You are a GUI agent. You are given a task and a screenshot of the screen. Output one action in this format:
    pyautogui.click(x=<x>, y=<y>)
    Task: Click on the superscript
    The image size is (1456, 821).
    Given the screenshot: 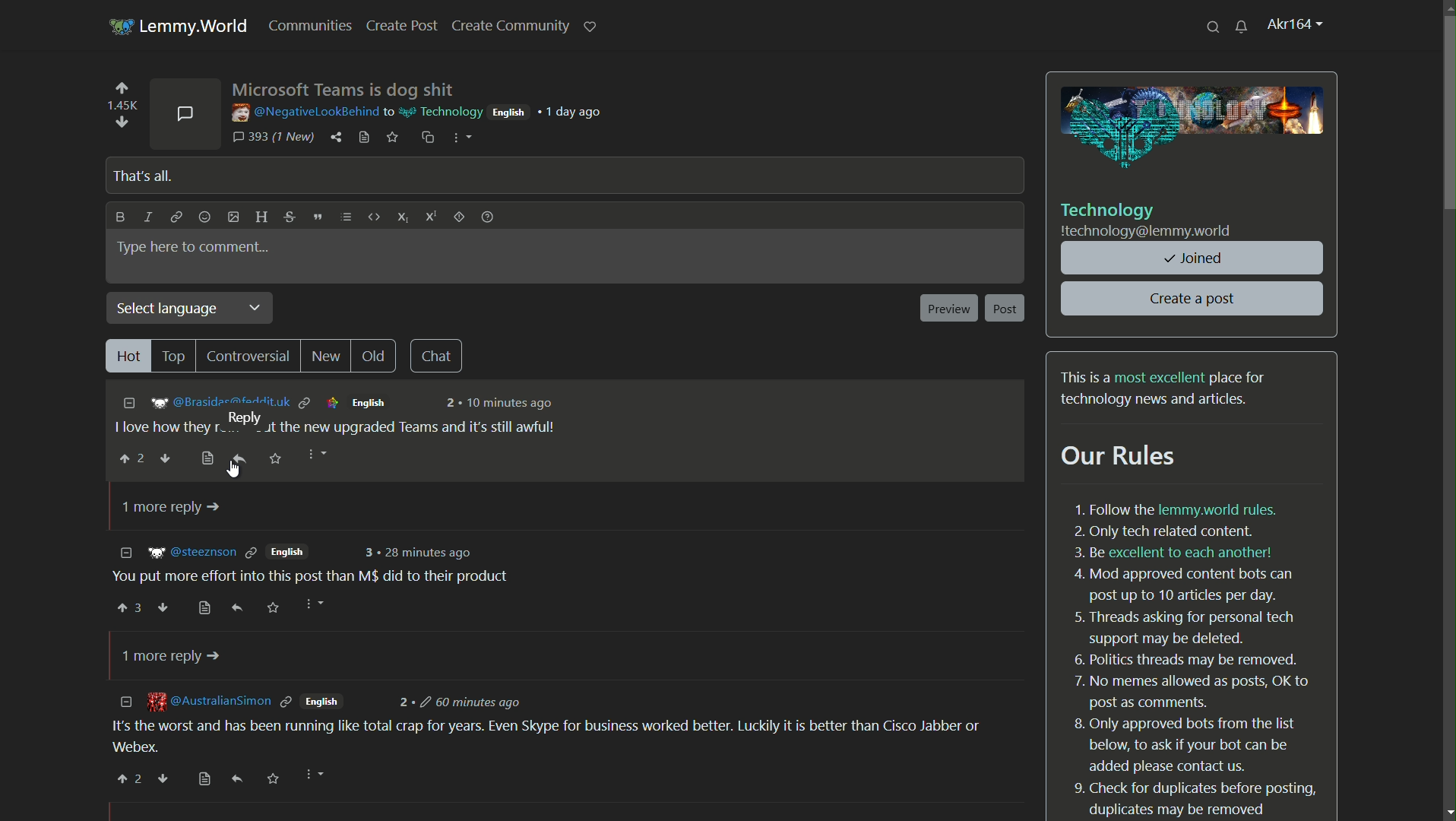 What is the action you would take?
    pyautogui.click(x=432, y=219)
    